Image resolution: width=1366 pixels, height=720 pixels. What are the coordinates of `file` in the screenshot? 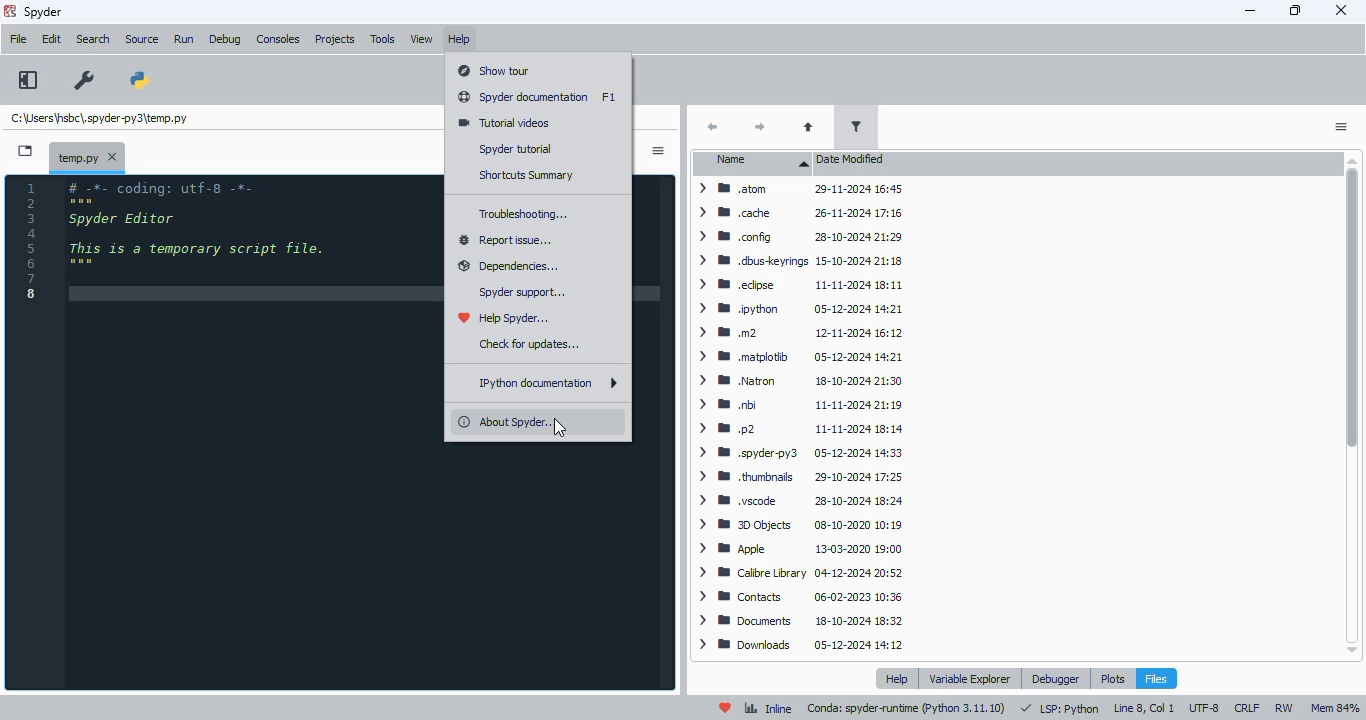 It's located at (18, 40).